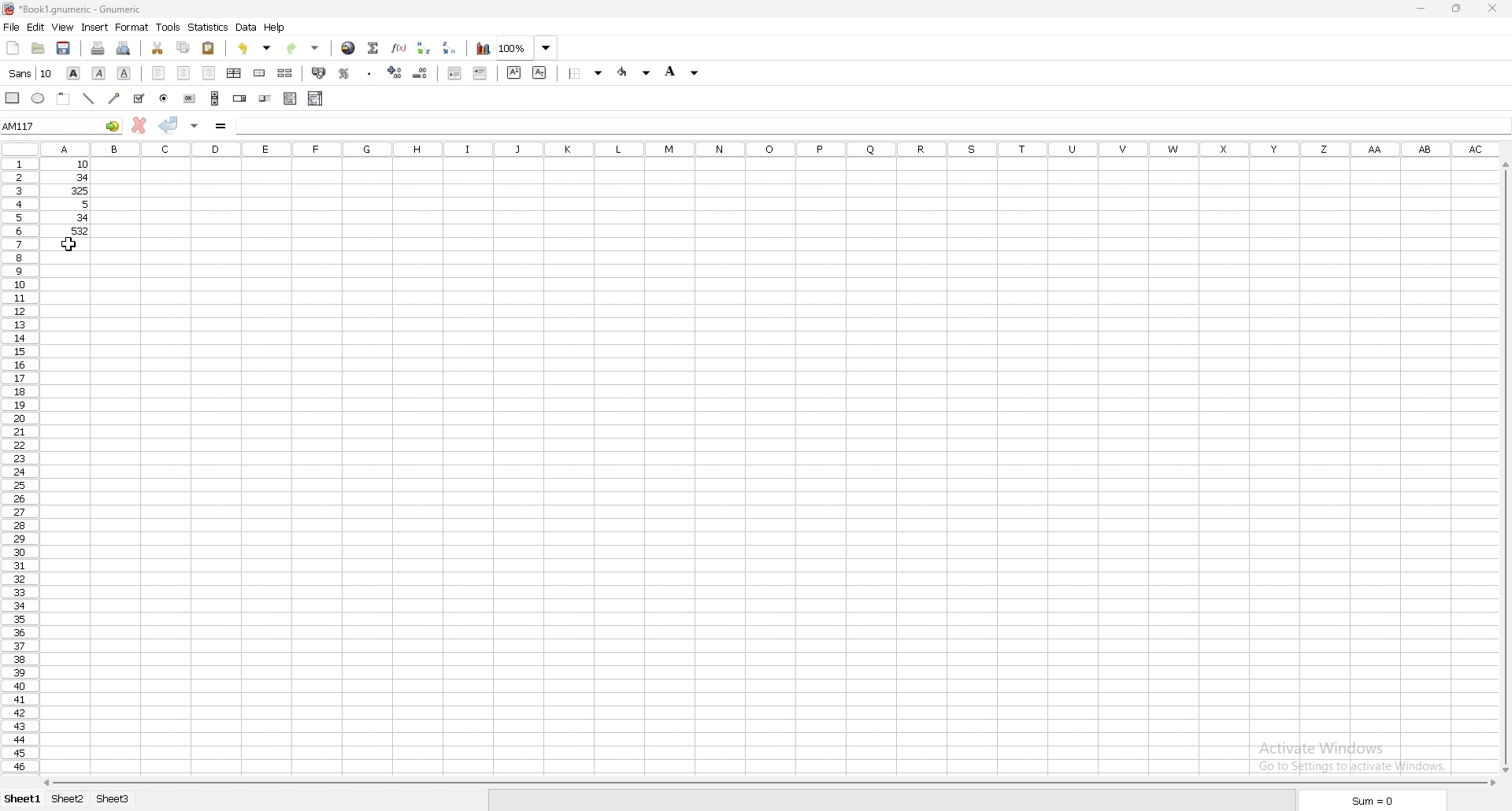 This screenshot has height=811, width=1512. Describe the element at coordinates (124, 72) in the screenshot. I see `underline` at that location.